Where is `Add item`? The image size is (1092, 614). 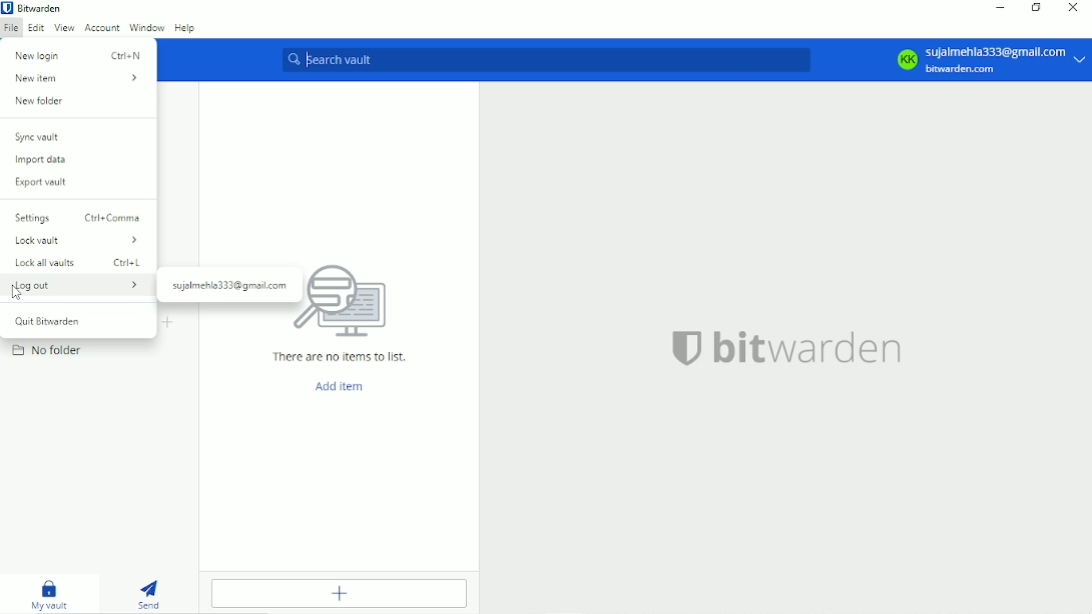 Add item is located at coordinates (344, 594).